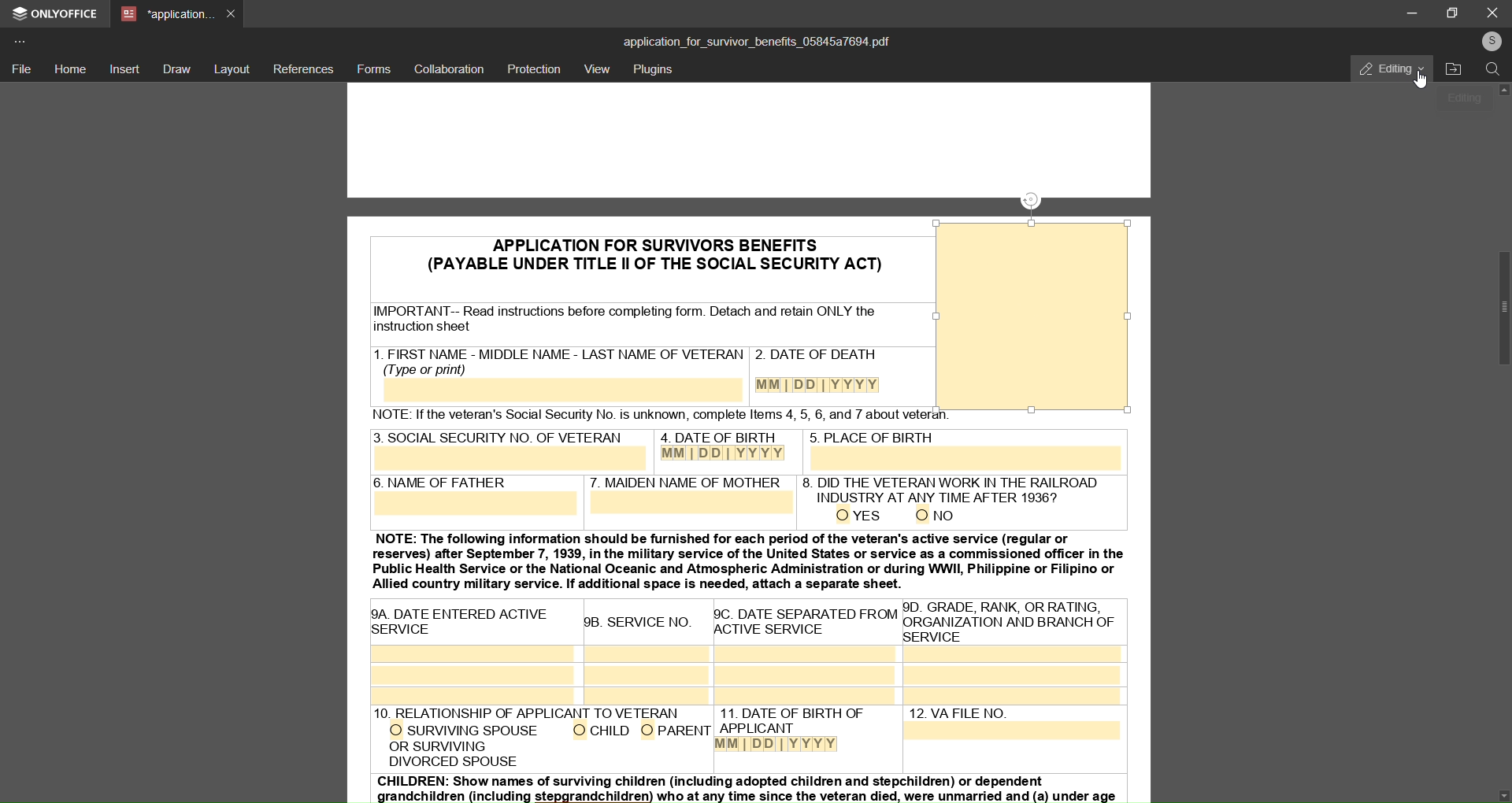  Describe the element at coordinates (1490, 41) in the screenshot. I see `user` at that location.